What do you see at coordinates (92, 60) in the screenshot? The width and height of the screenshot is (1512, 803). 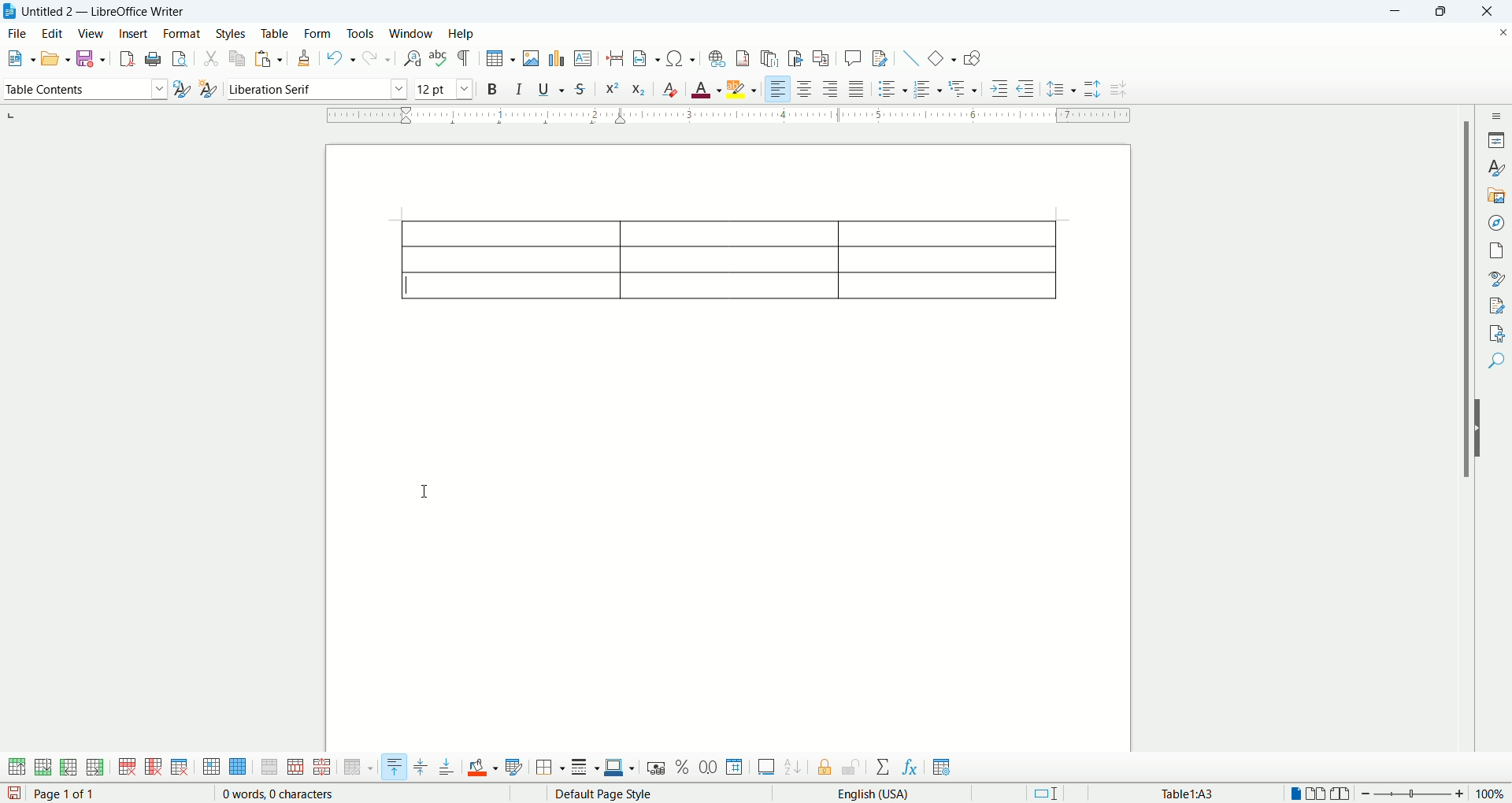 I see `save` at bounding box center [92, 60].